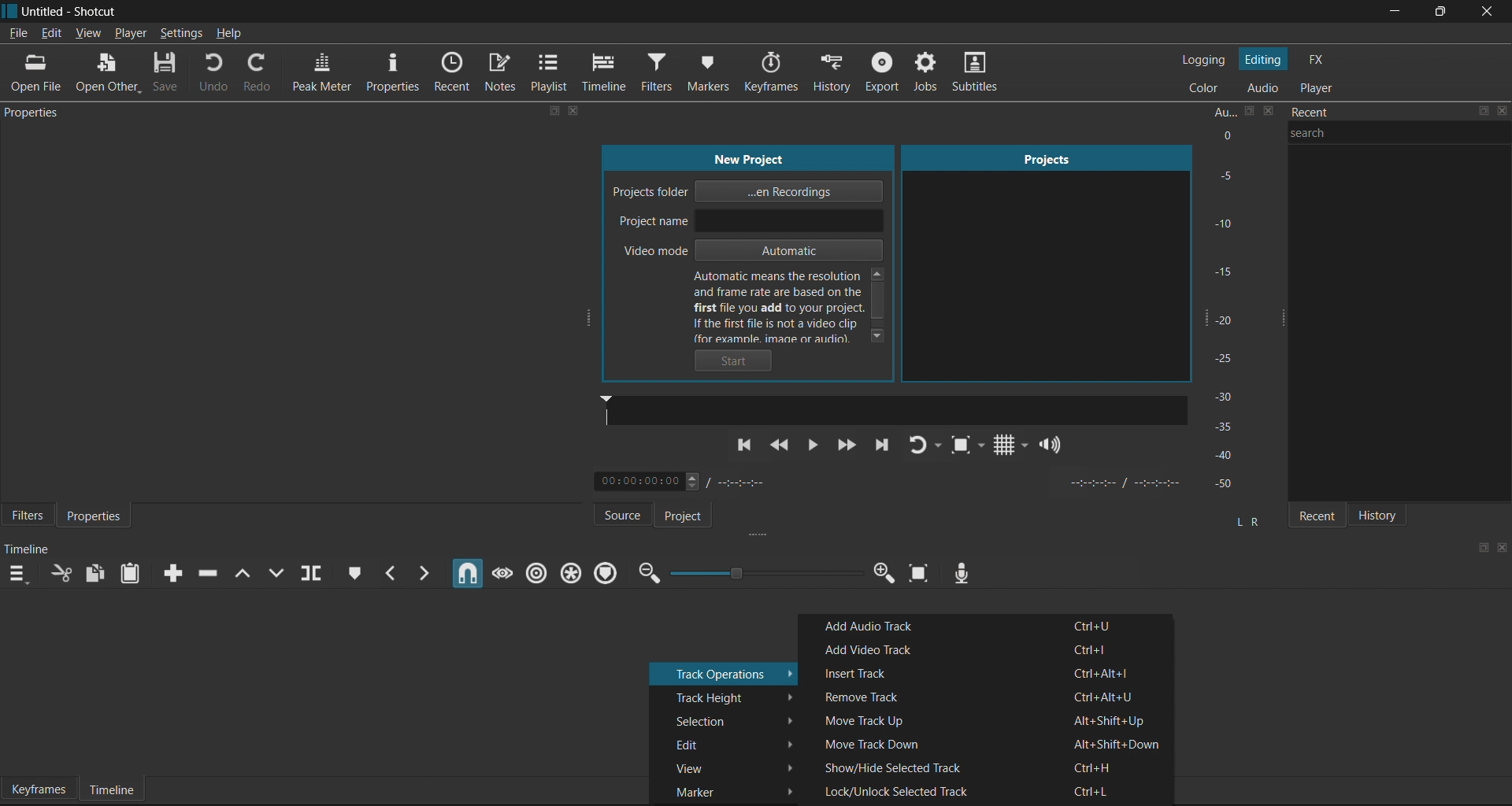  Describe the element at coordinates (465, 574) in the screenshot. I see `Snap` at that location.